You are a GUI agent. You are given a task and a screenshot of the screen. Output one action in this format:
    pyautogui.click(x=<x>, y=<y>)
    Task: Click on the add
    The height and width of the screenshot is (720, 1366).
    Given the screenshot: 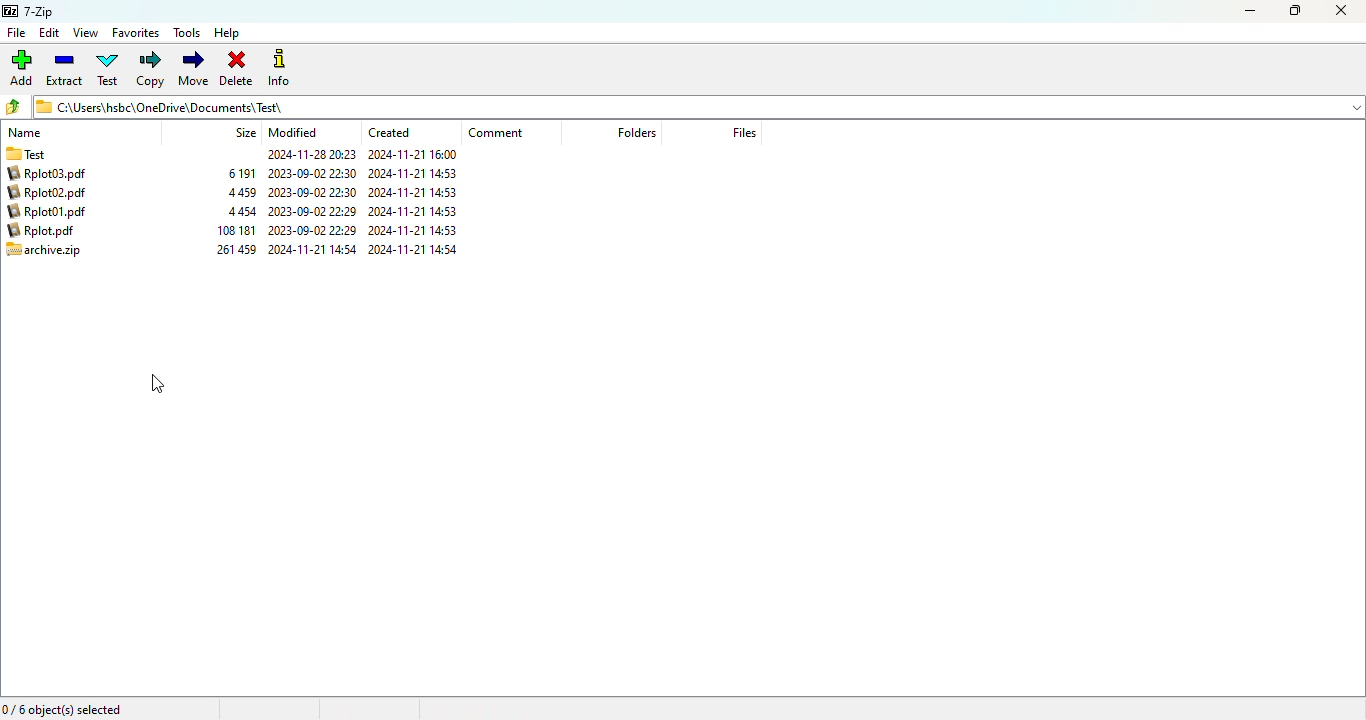 What is the action you would take?
    pyautogui.click(x=22, y=68)
    